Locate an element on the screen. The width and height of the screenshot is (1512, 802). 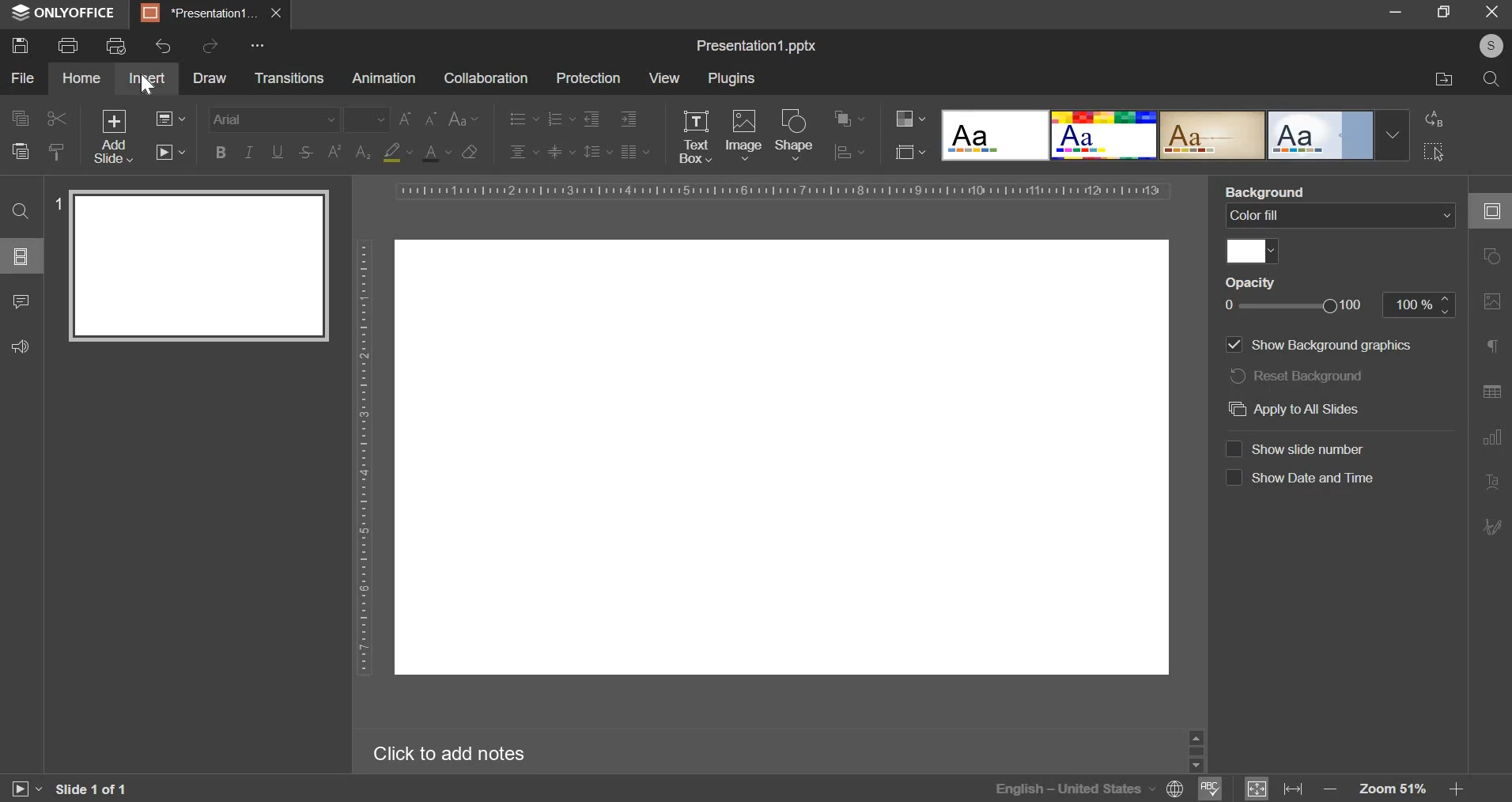
superscript is located at coordinates (333, 153).